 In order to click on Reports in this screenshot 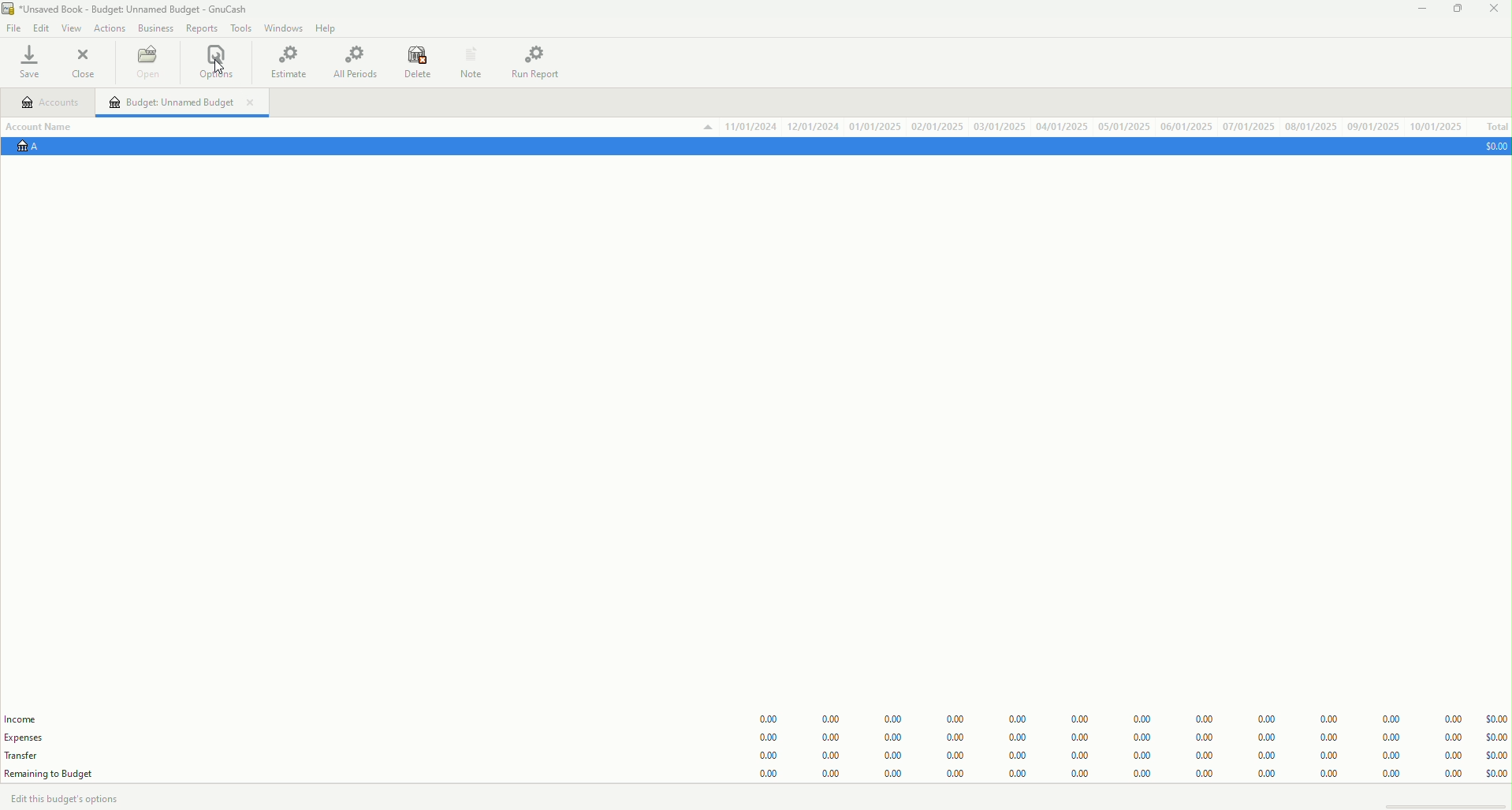, I will do `click(202, 29)`.